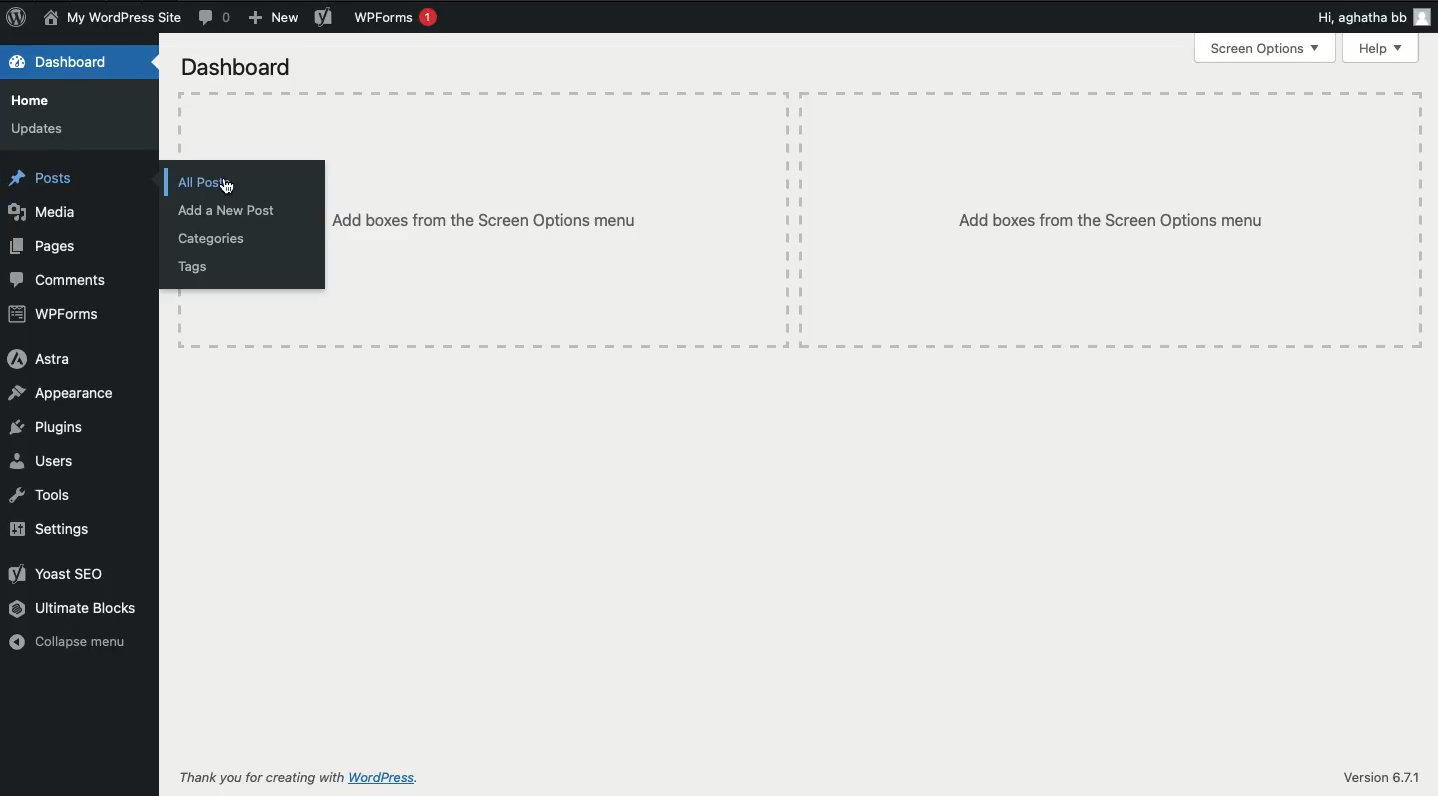  What do you see at coordinates (17, 18) in the screenshot?
I see `Logo` at bounding box center [17, 18].